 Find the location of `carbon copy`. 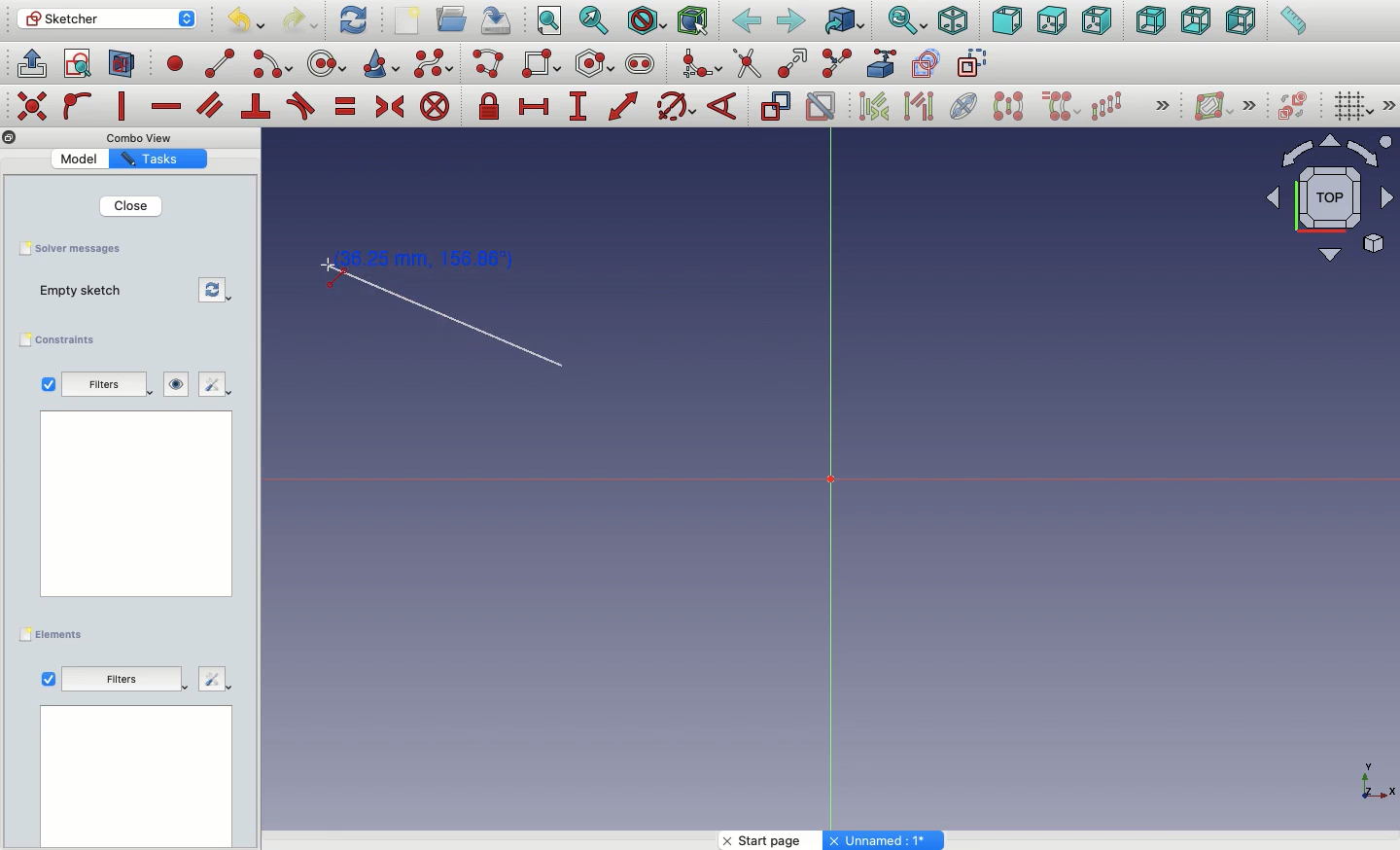

carbon copy is located at coordinates (929, 64).